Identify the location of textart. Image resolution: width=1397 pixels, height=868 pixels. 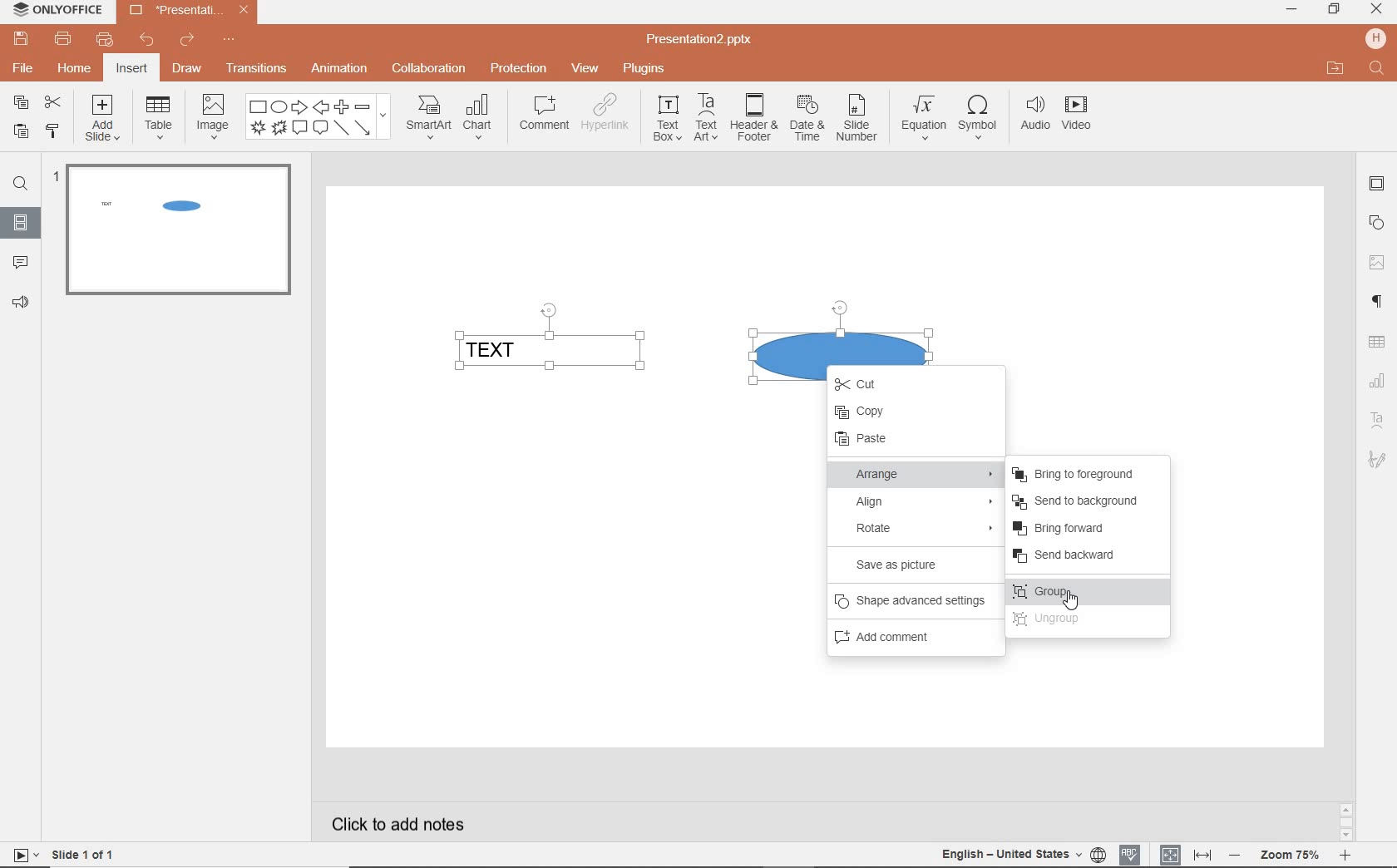
(704, 116).